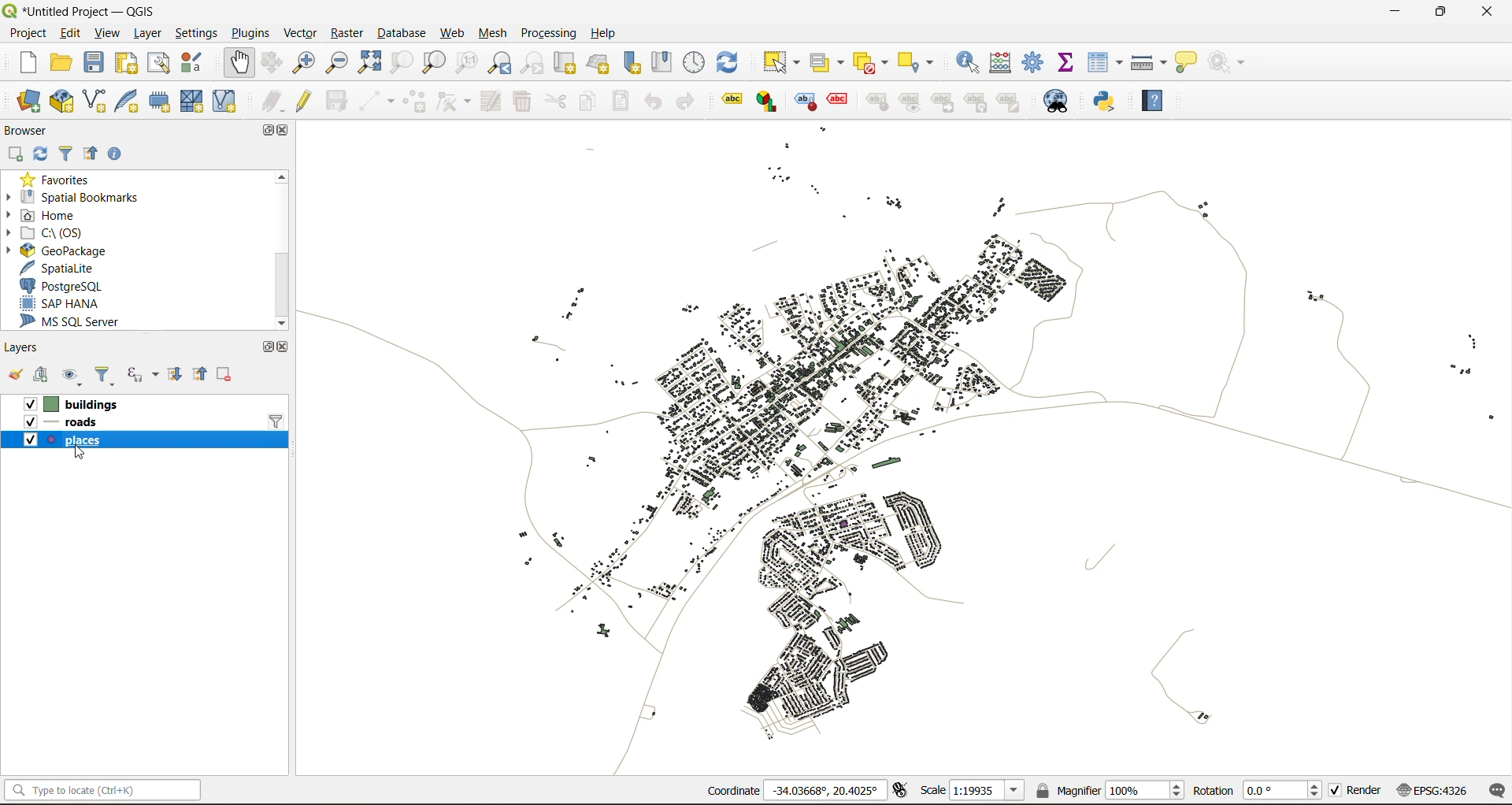 This screenshot has width=1512, height=805. What do you see at coordinates (493, 102) in the screenshot?
I see `modify` at bounding box center [493, 102].